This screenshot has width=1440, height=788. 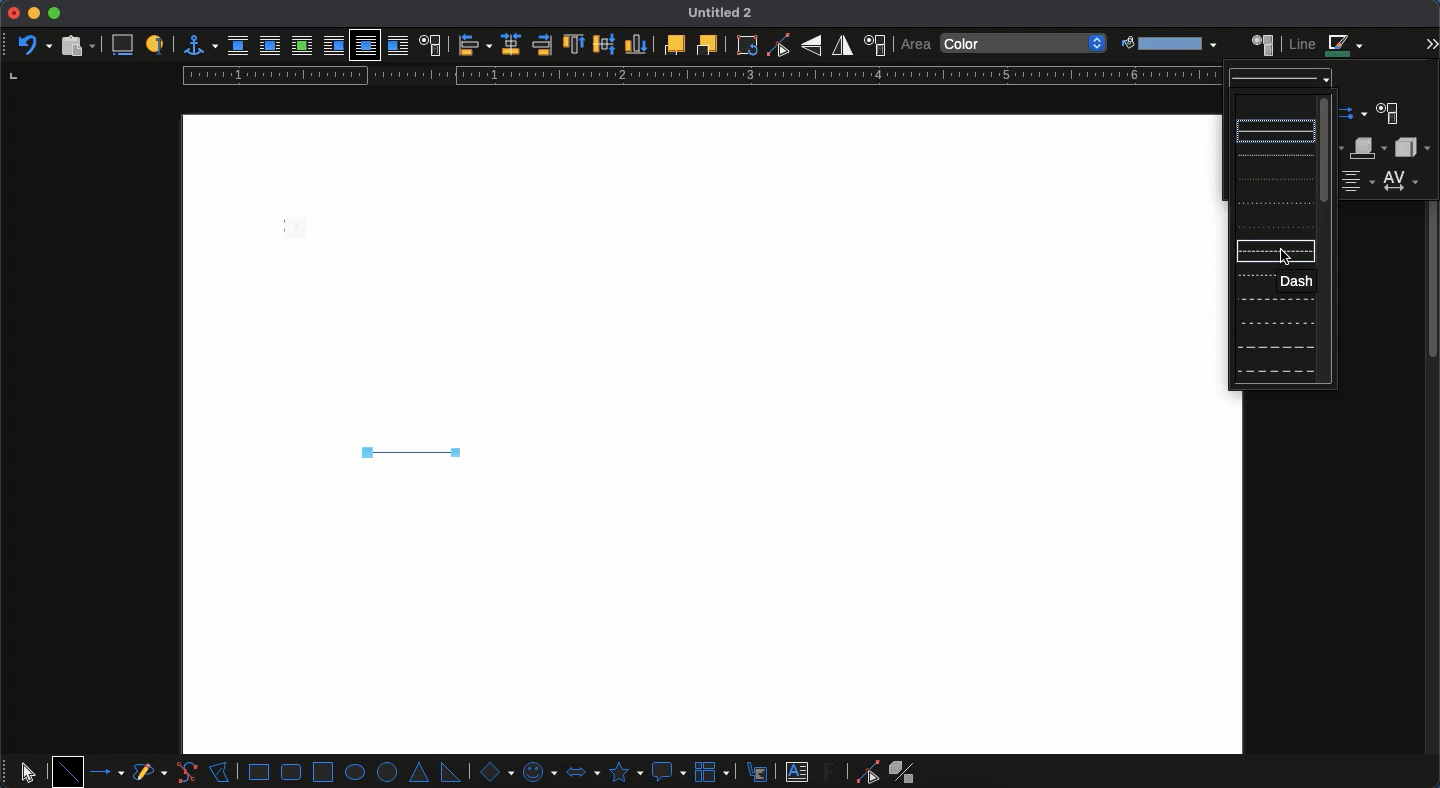 What do you see at coordinates (1273, 203) in the screenshot?
I see `Long dot` at bounding box center [1273, 203].